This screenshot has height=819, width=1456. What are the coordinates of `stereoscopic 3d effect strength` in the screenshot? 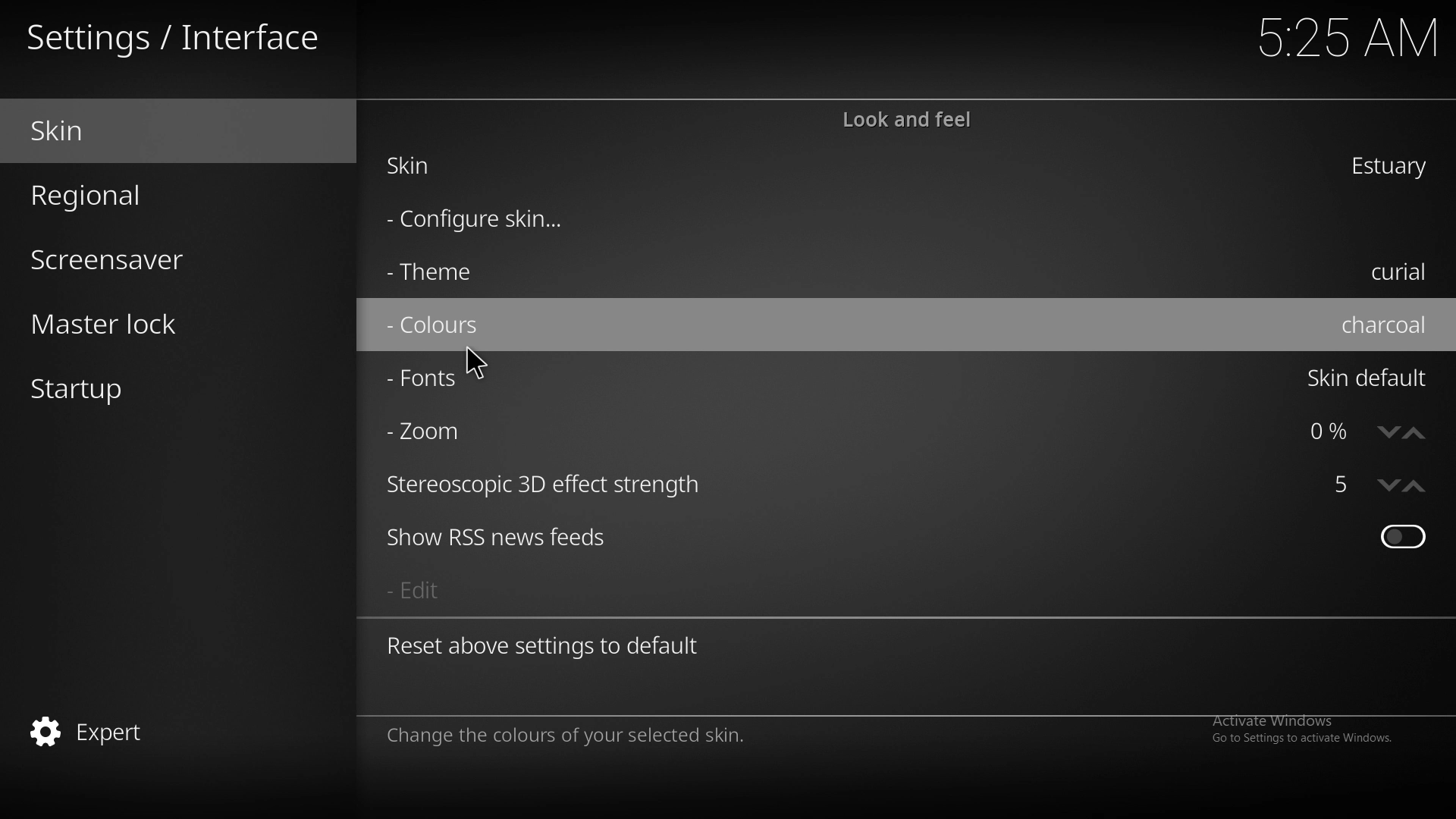 It's located at (560, 482).